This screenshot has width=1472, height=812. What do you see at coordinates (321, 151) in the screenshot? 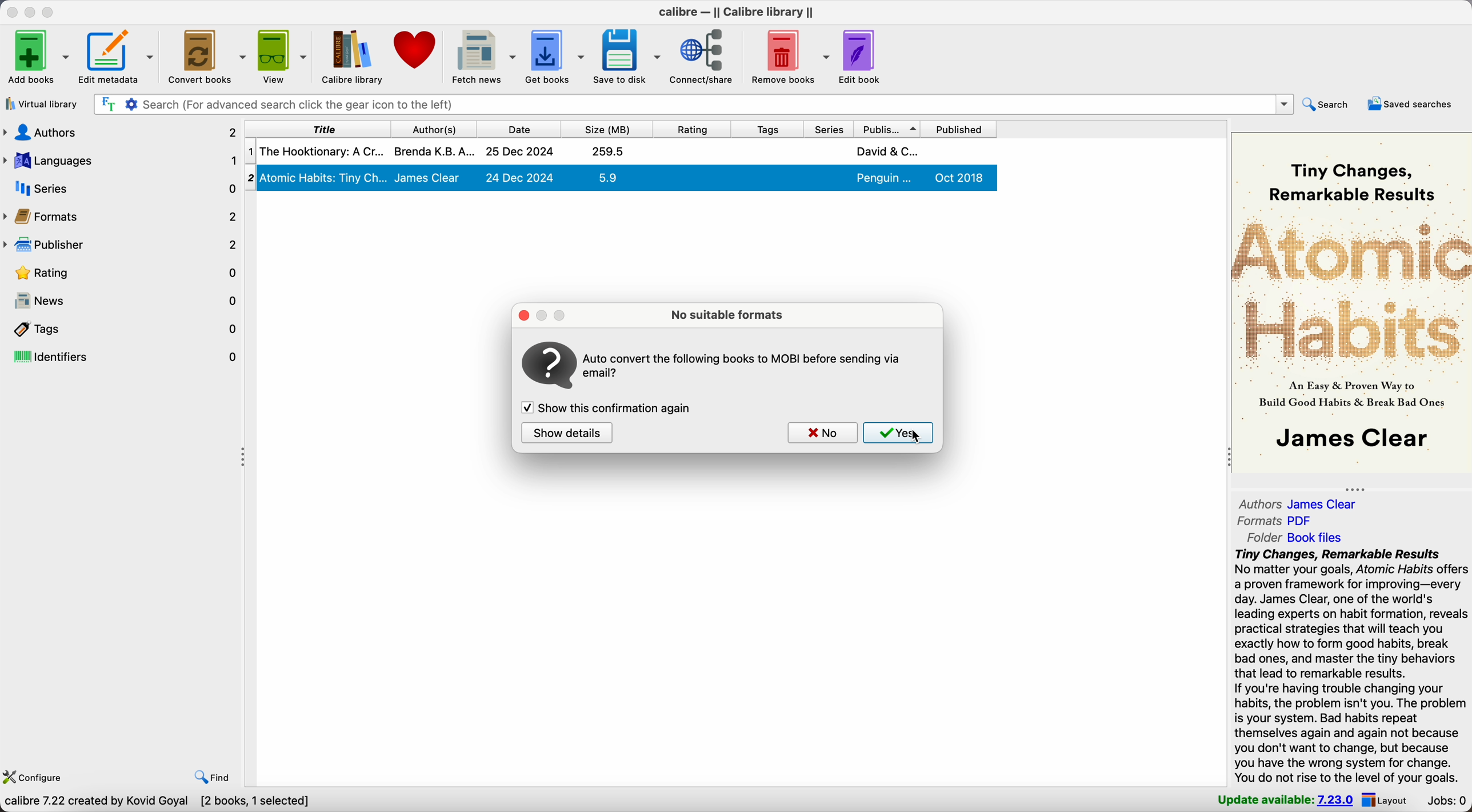
I see `The Hookitonary: A Cr` at bounding box center [321, 151].